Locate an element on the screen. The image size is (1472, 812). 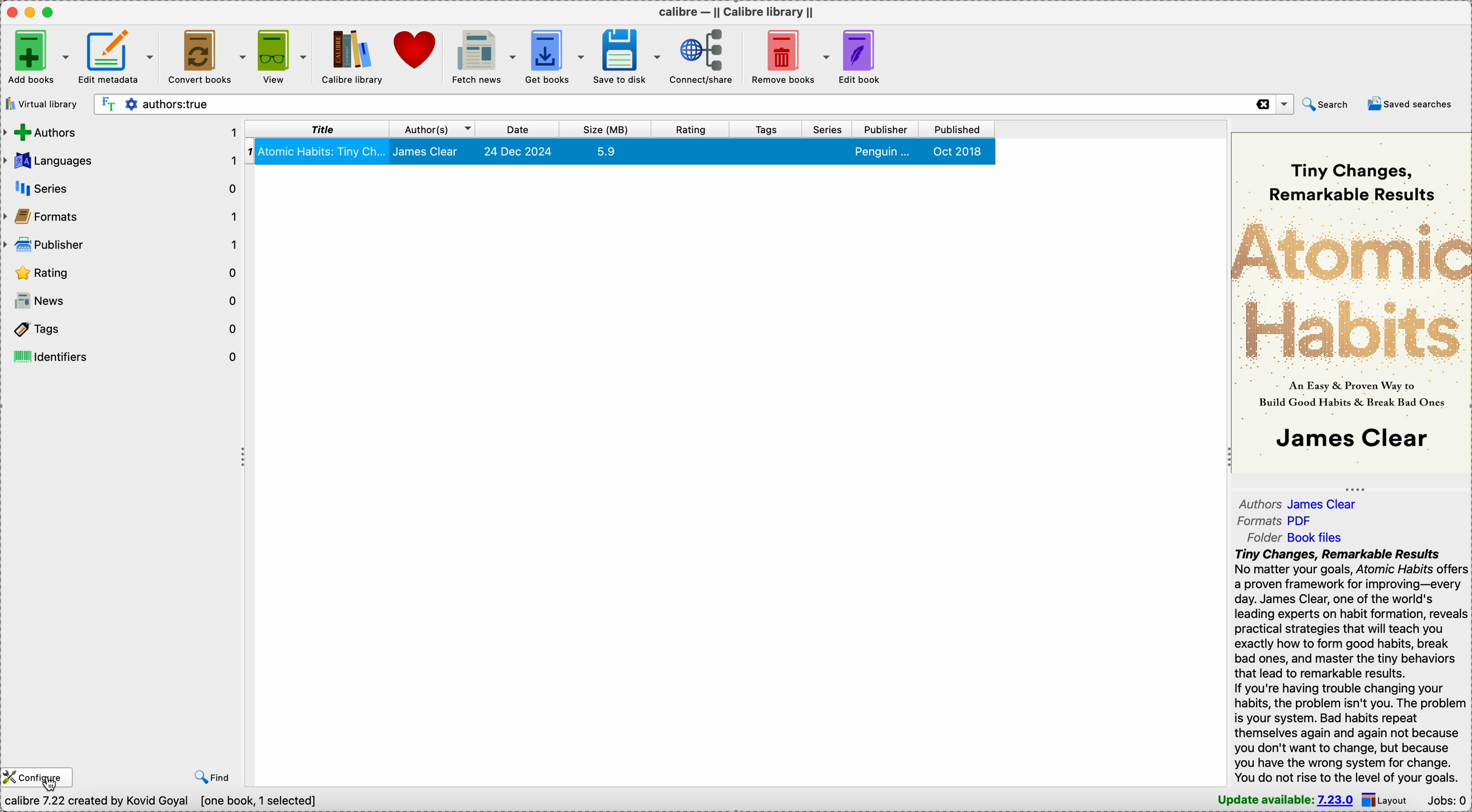
title is located at coordinates (318, 129).